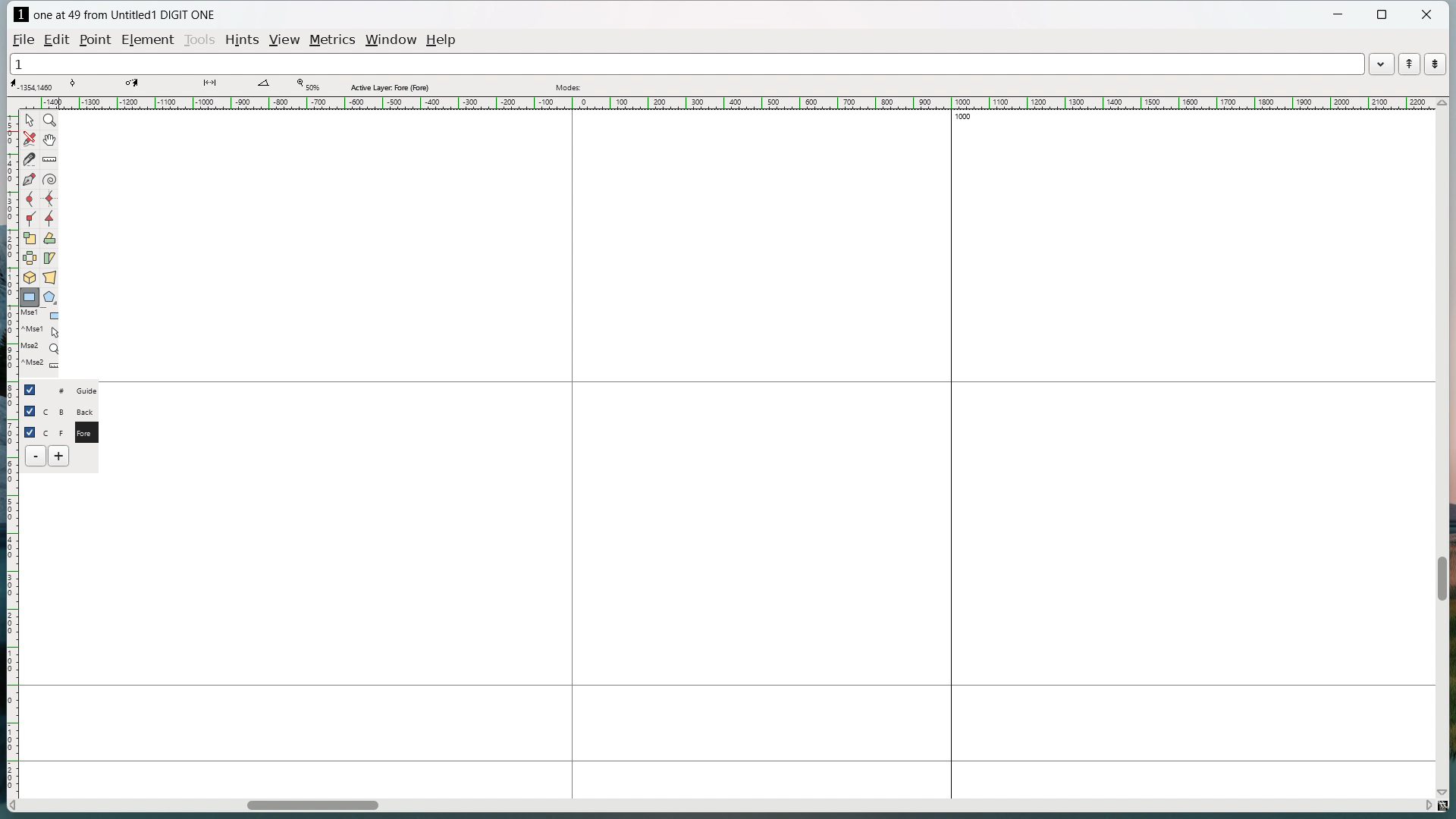  What do you see at coordinates (50, 120) in the screenshot?
I see `magnify` at bounding box center [50, 120].